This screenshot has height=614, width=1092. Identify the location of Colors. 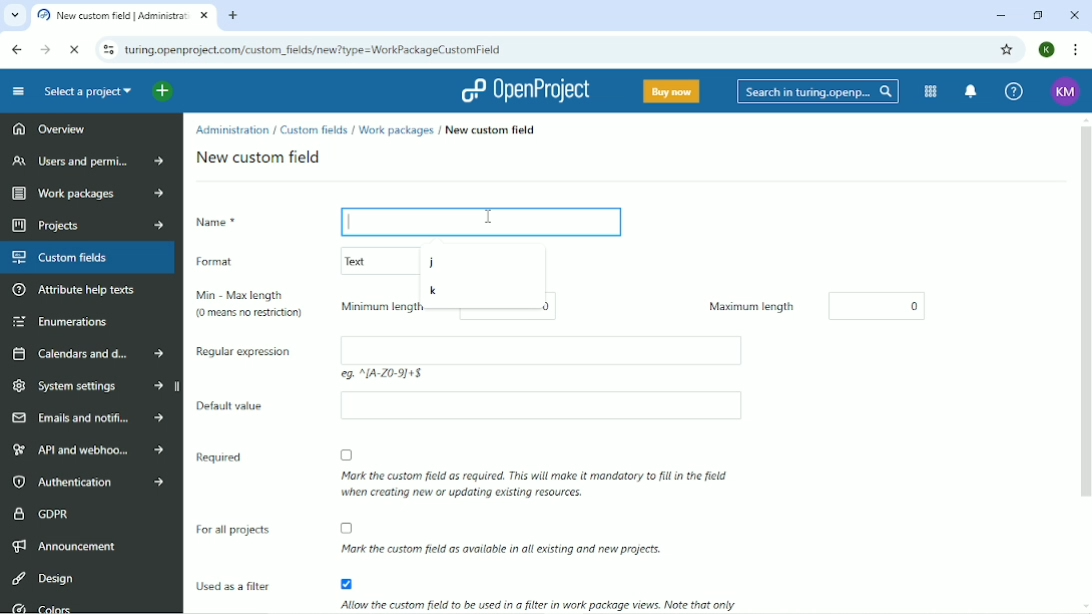
(41, 606).